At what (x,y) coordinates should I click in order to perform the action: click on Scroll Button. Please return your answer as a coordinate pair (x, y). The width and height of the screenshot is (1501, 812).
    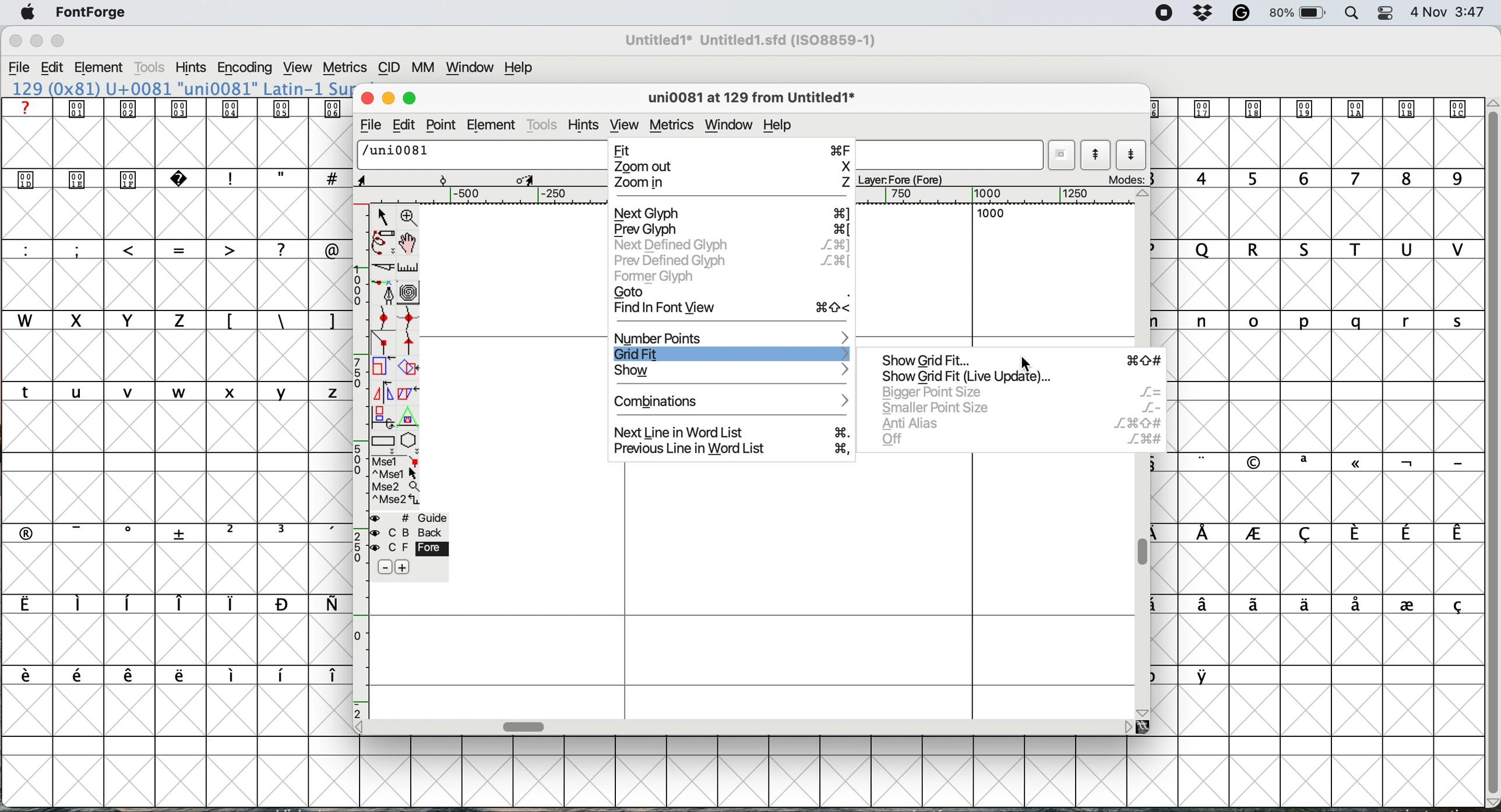
    Looking at the image, I should click on (1127, 728).